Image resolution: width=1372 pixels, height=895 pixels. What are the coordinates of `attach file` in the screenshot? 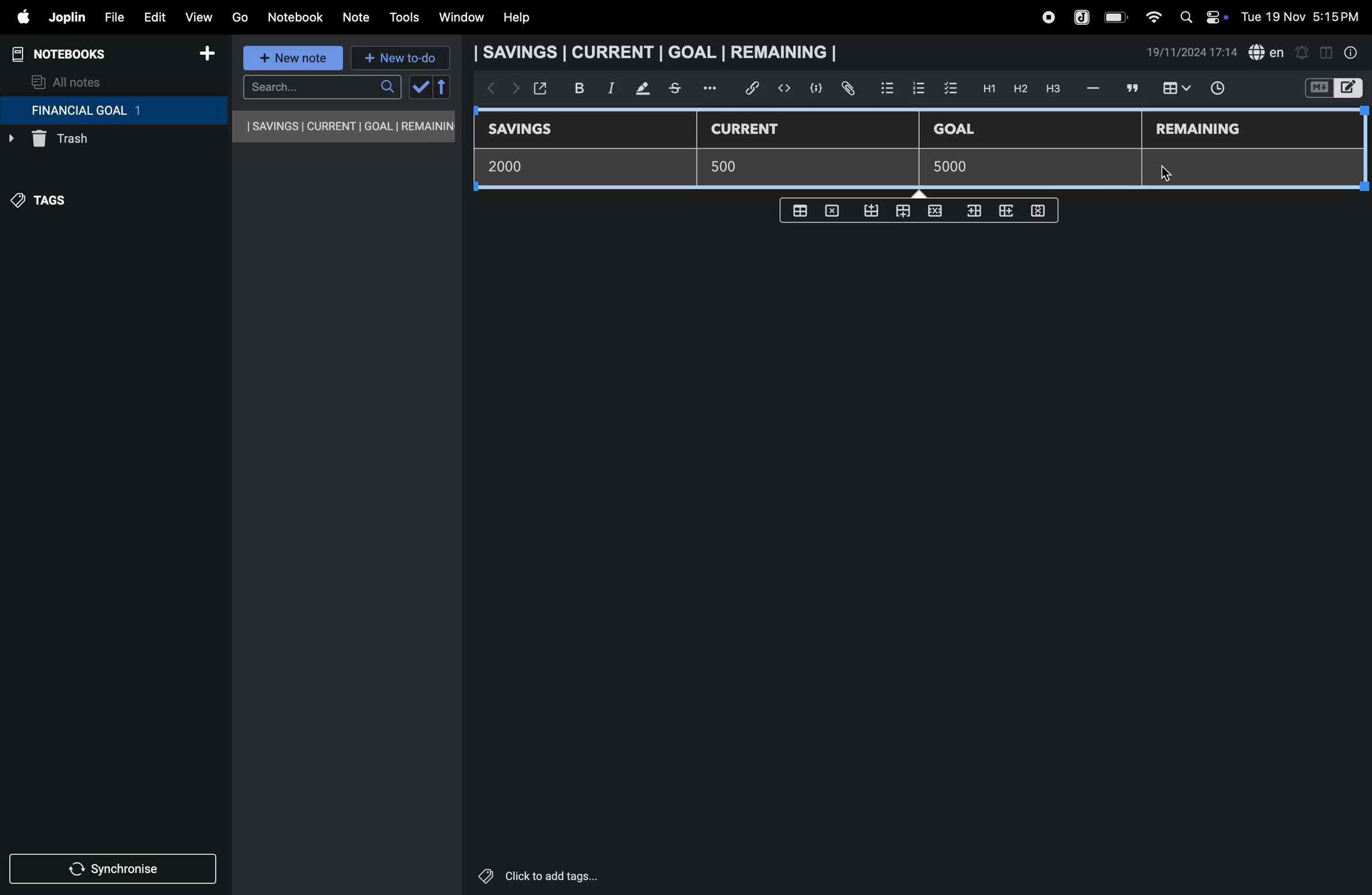 It's located at (847, 89).